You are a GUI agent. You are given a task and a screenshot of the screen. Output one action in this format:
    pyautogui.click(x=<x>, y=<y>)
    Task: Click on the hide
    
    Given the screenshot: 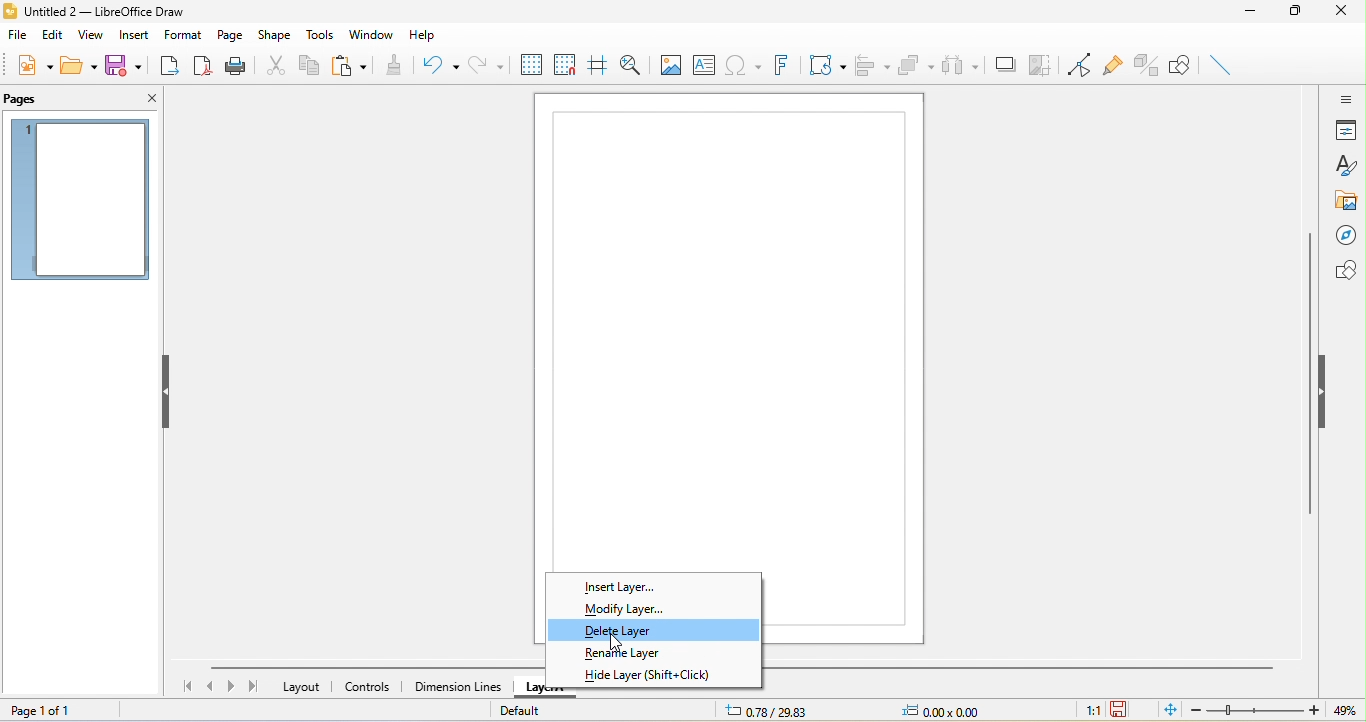 What is the action you would take?
    pyautogui.click(x=1324, y=390)
    